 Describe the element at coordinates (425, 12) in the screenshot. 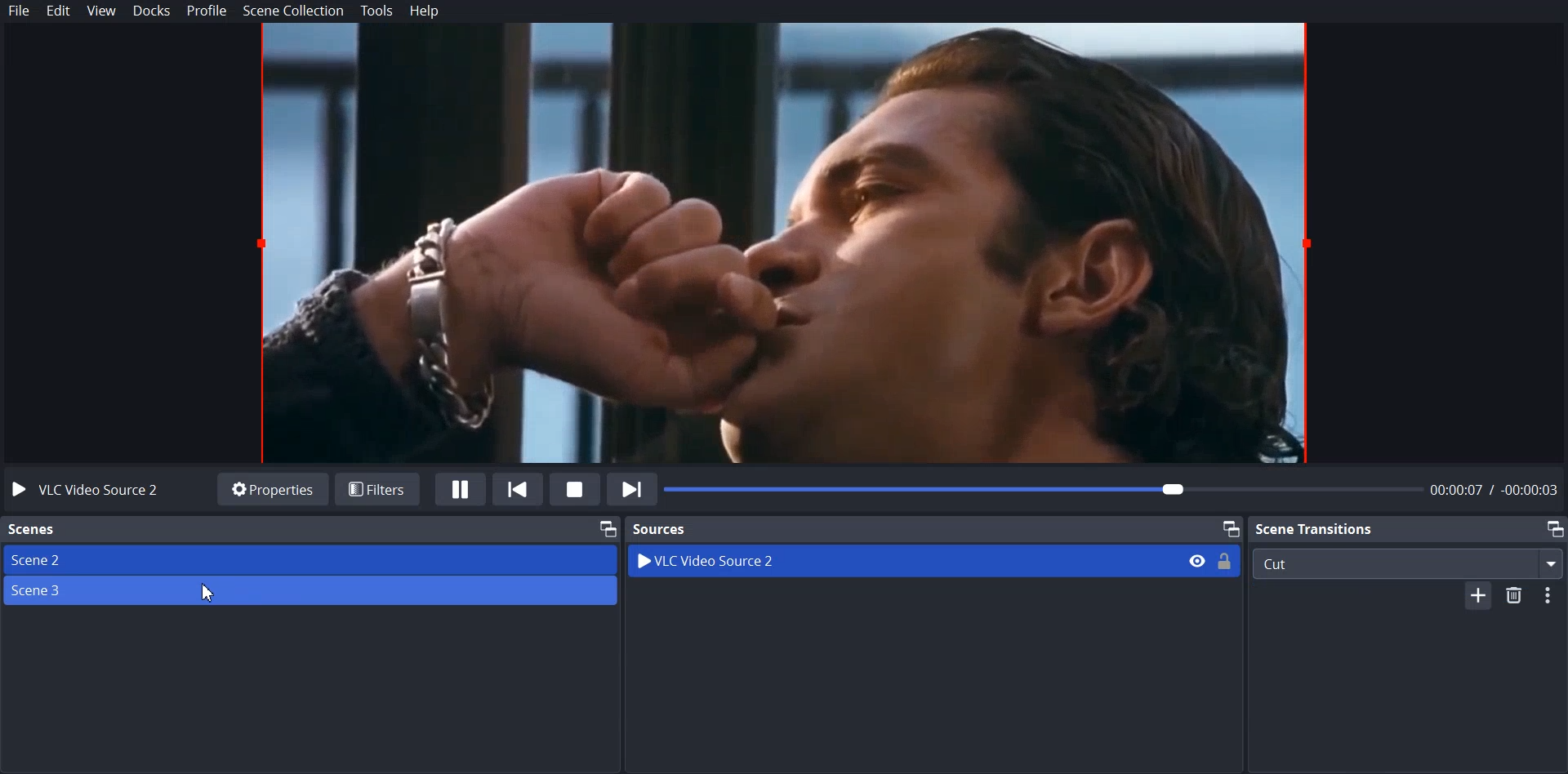

I see `Help` at that location.